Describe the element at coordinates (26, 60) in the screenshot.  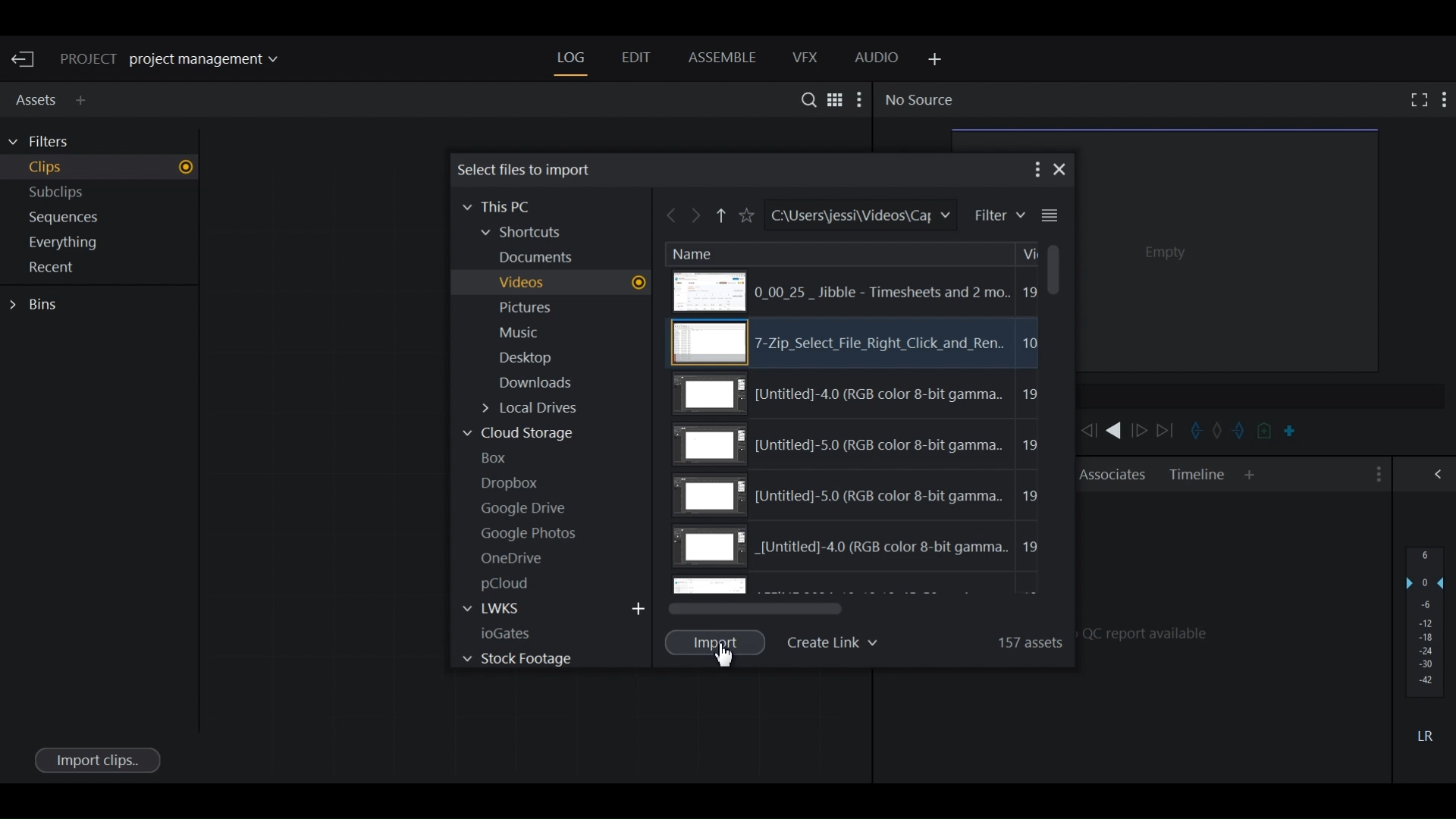
I see `Exit Current Project` at that location.